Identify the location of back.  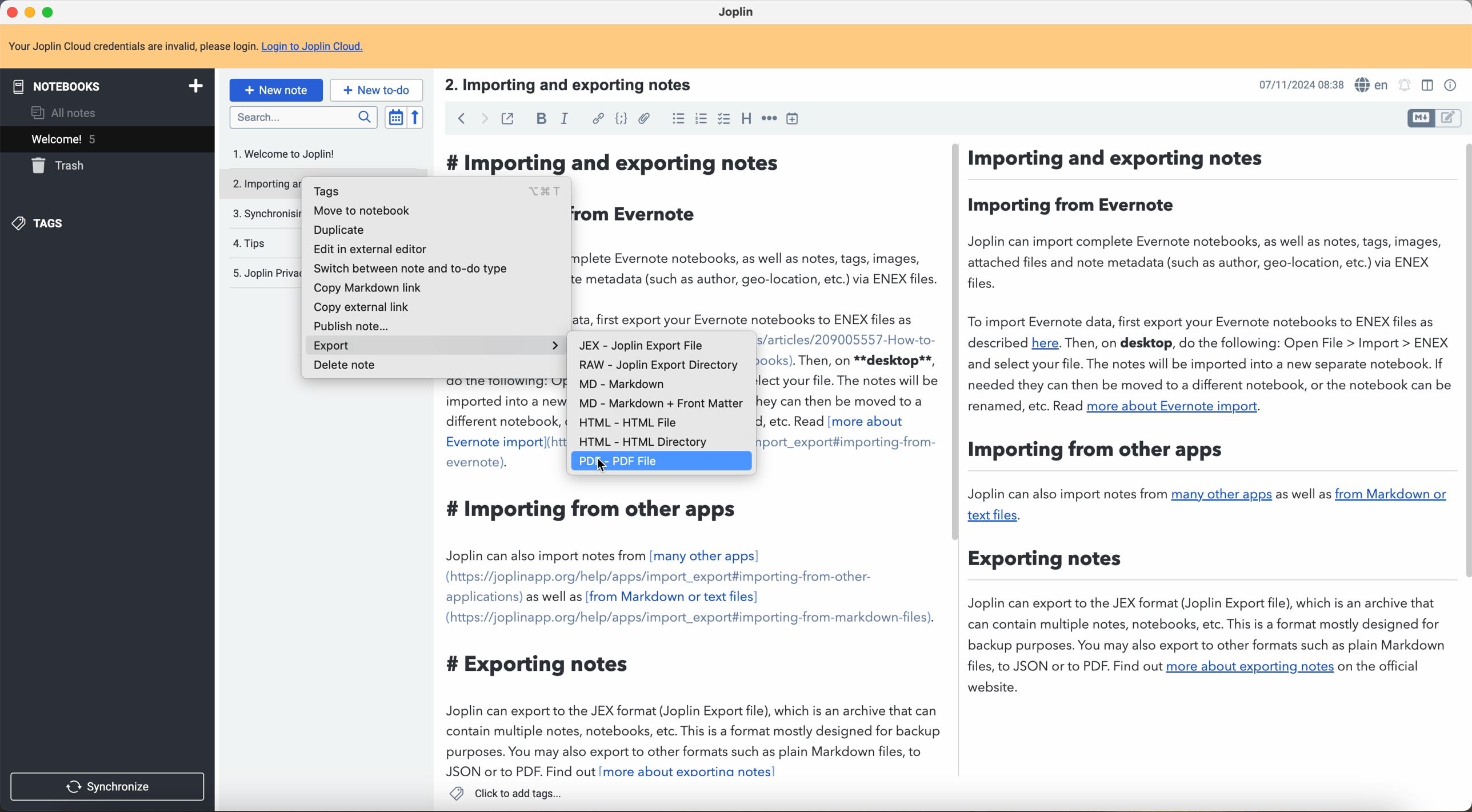
(458, 119).